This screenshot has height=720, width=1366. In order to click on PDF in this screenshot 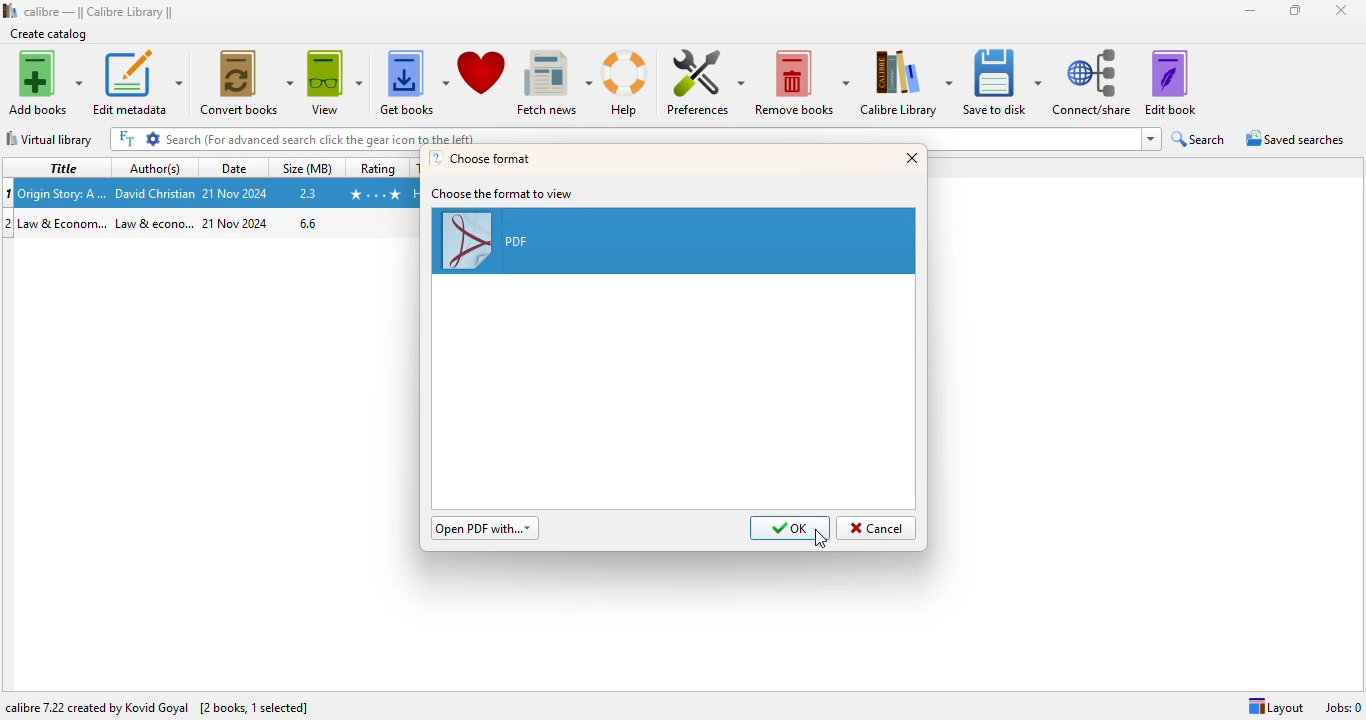, I will do `click(673, 240)`.